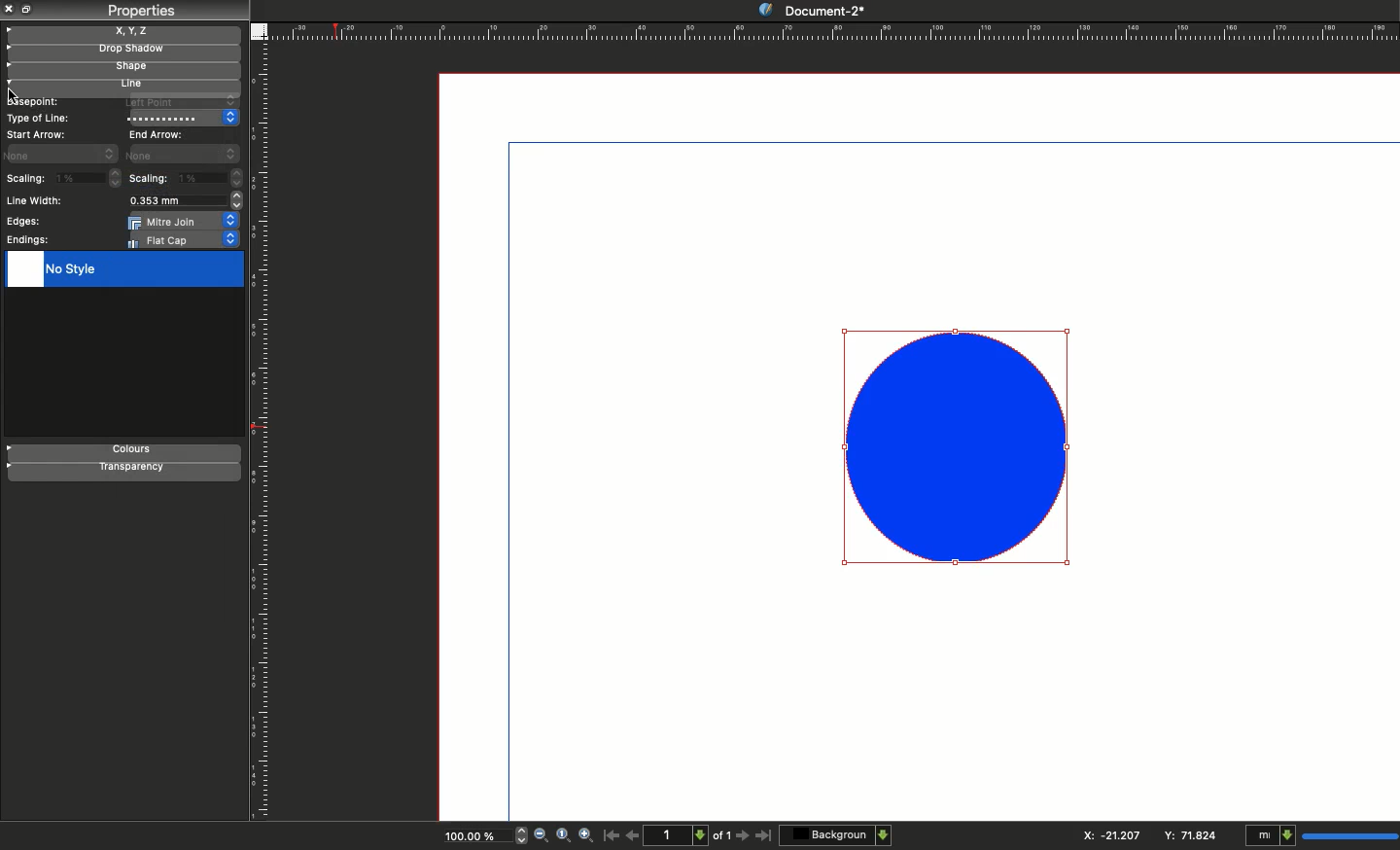  What do you see at coordinates (39, 201) in the screenshot?
I see `Line width` at bounding box center [39, 201].